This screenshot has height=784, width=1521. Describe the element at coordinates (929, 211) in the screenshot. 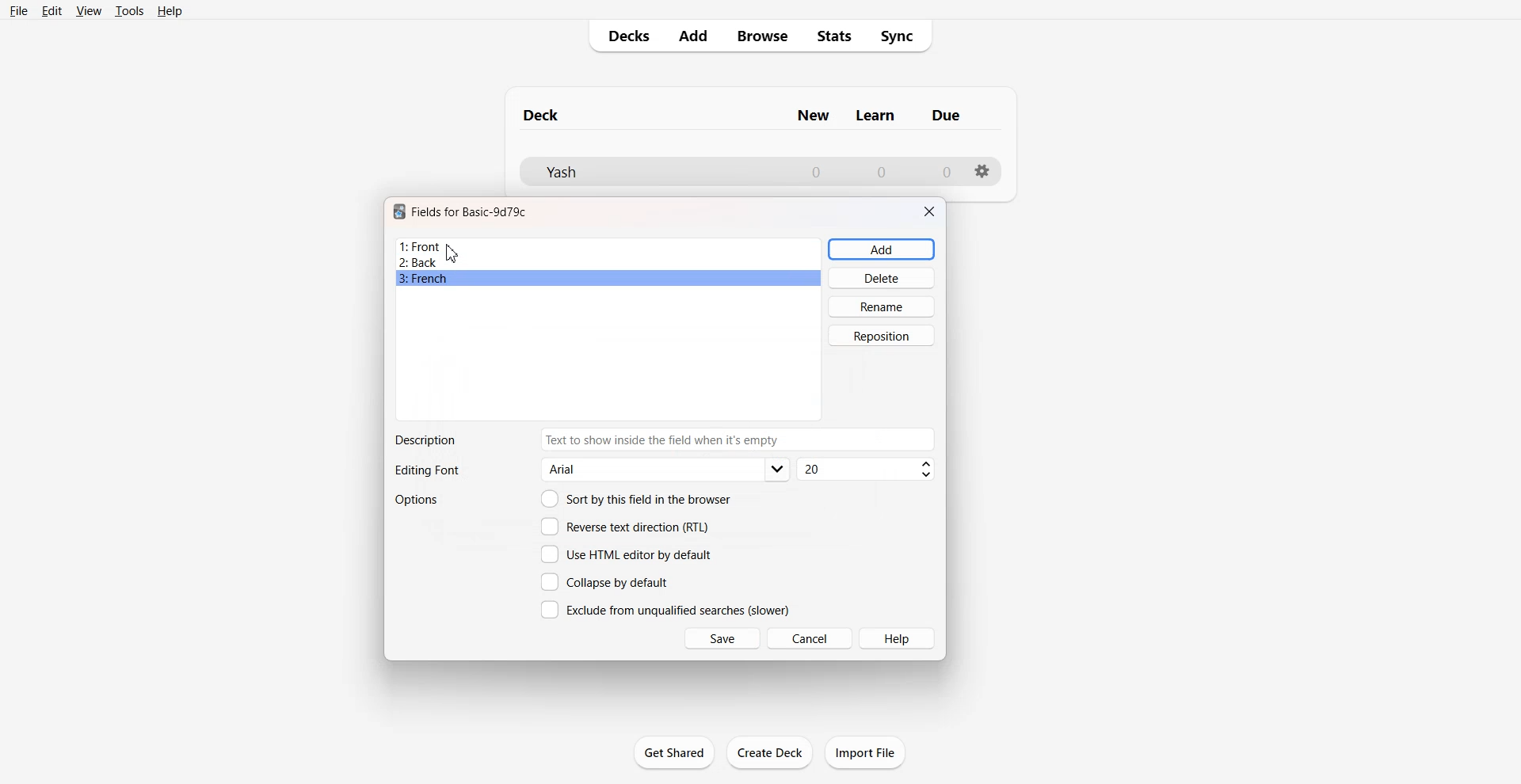

I see `Close` at that location.